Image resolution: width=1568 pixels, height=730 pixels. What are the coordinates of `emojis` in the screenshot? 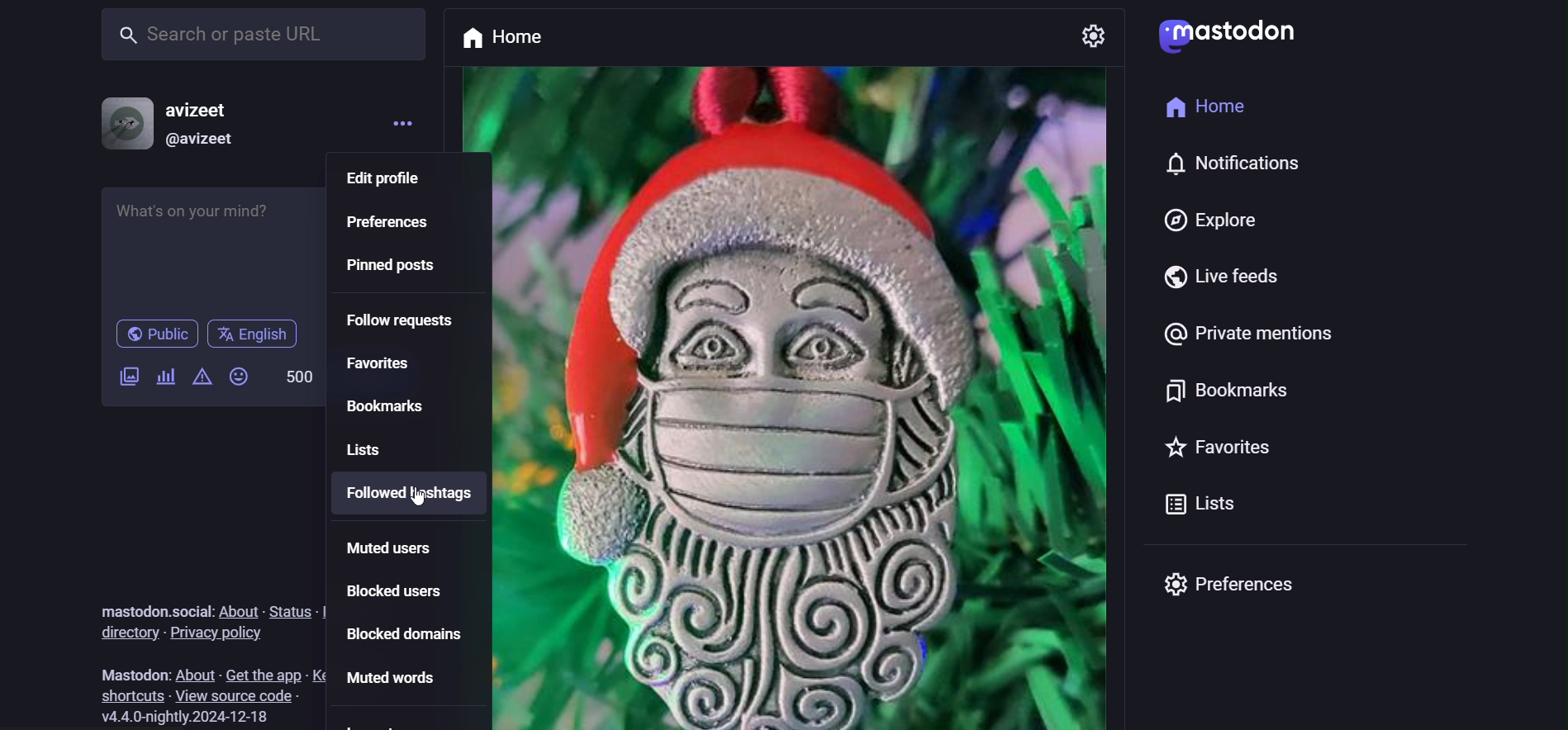 It's located at (244, 377).